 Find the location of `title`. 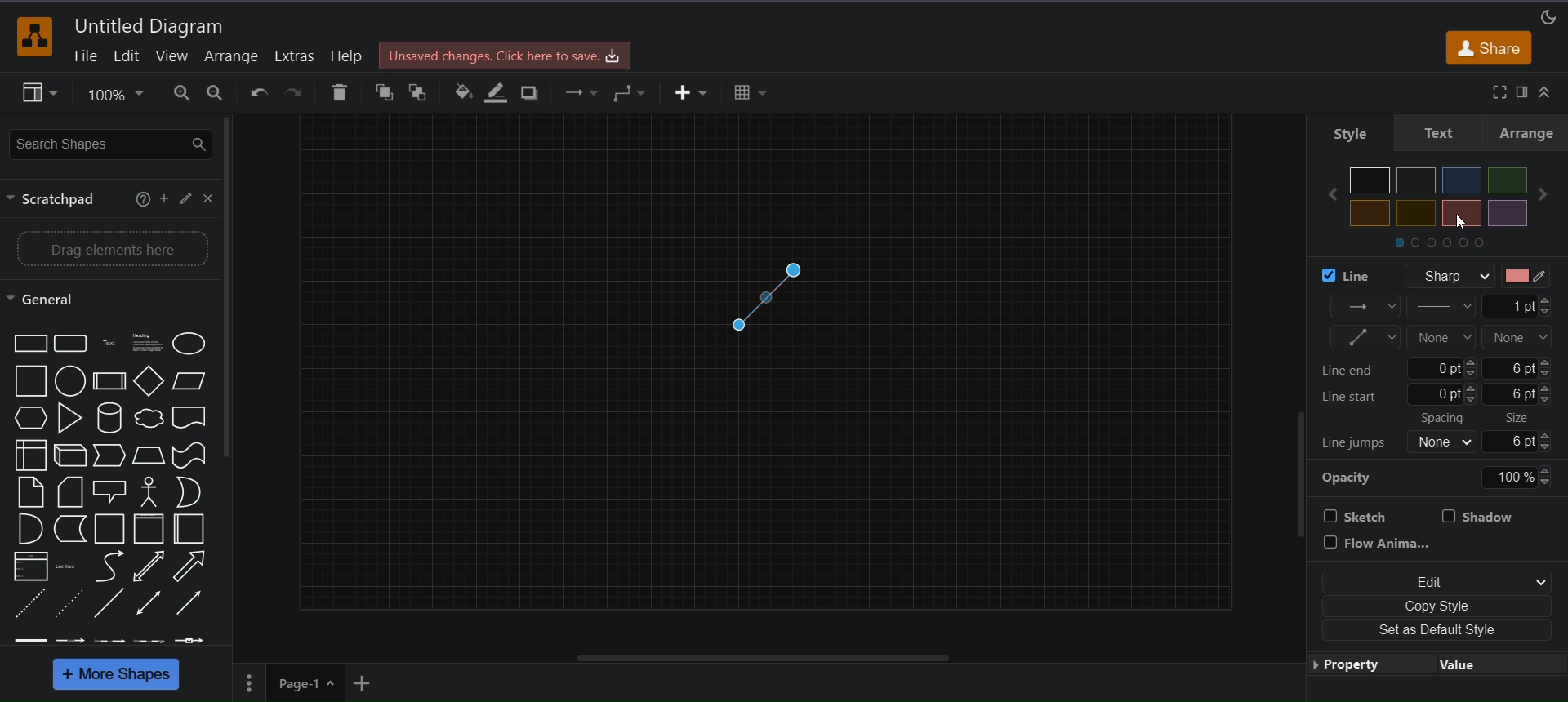

title is located at coordinates (152, 25).